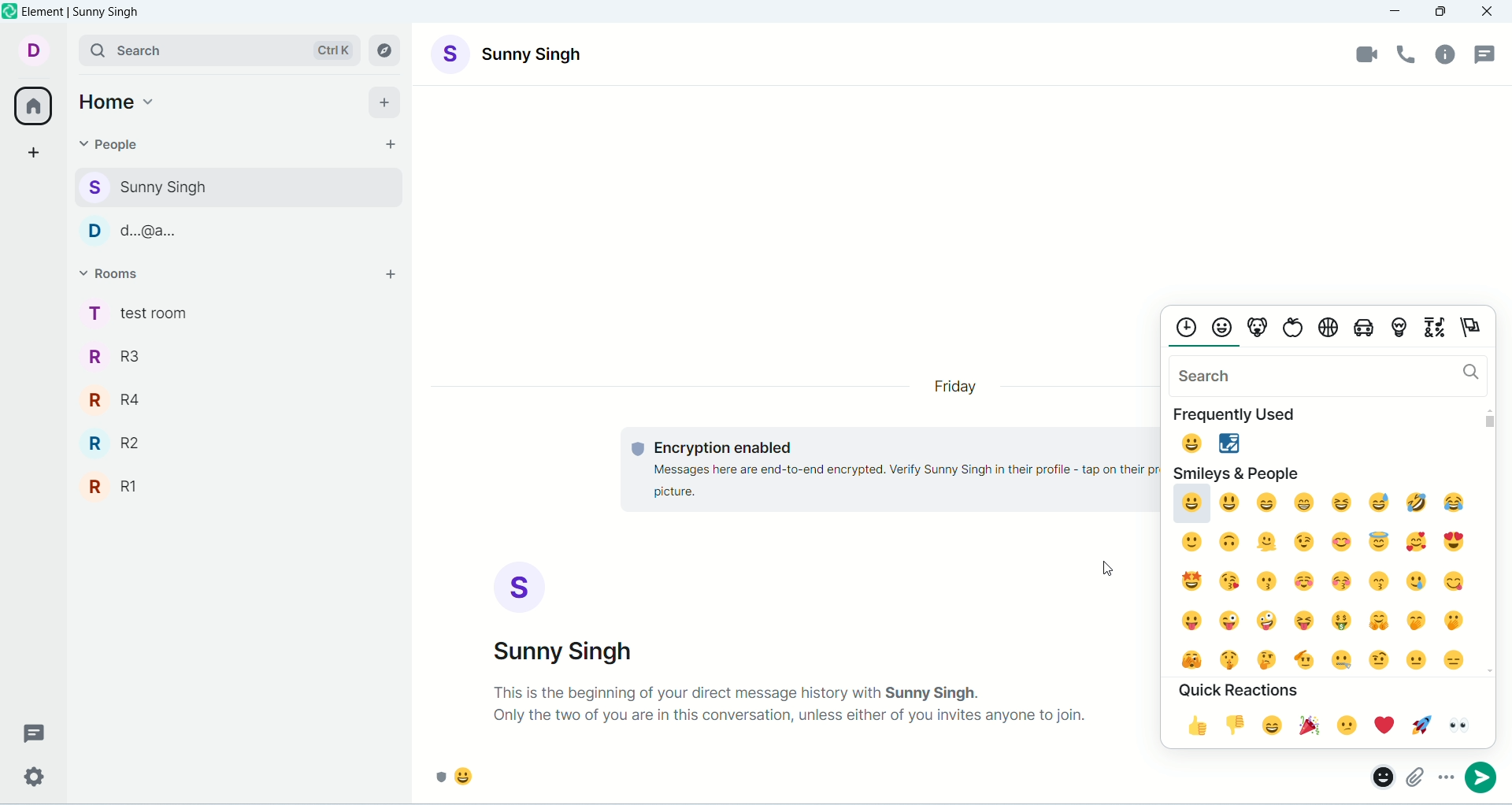 The image size is (1512, 805). What do you see at coordinates (387, 144) in the screenshot?
I see `start chat` at bounding box center [387, 144].